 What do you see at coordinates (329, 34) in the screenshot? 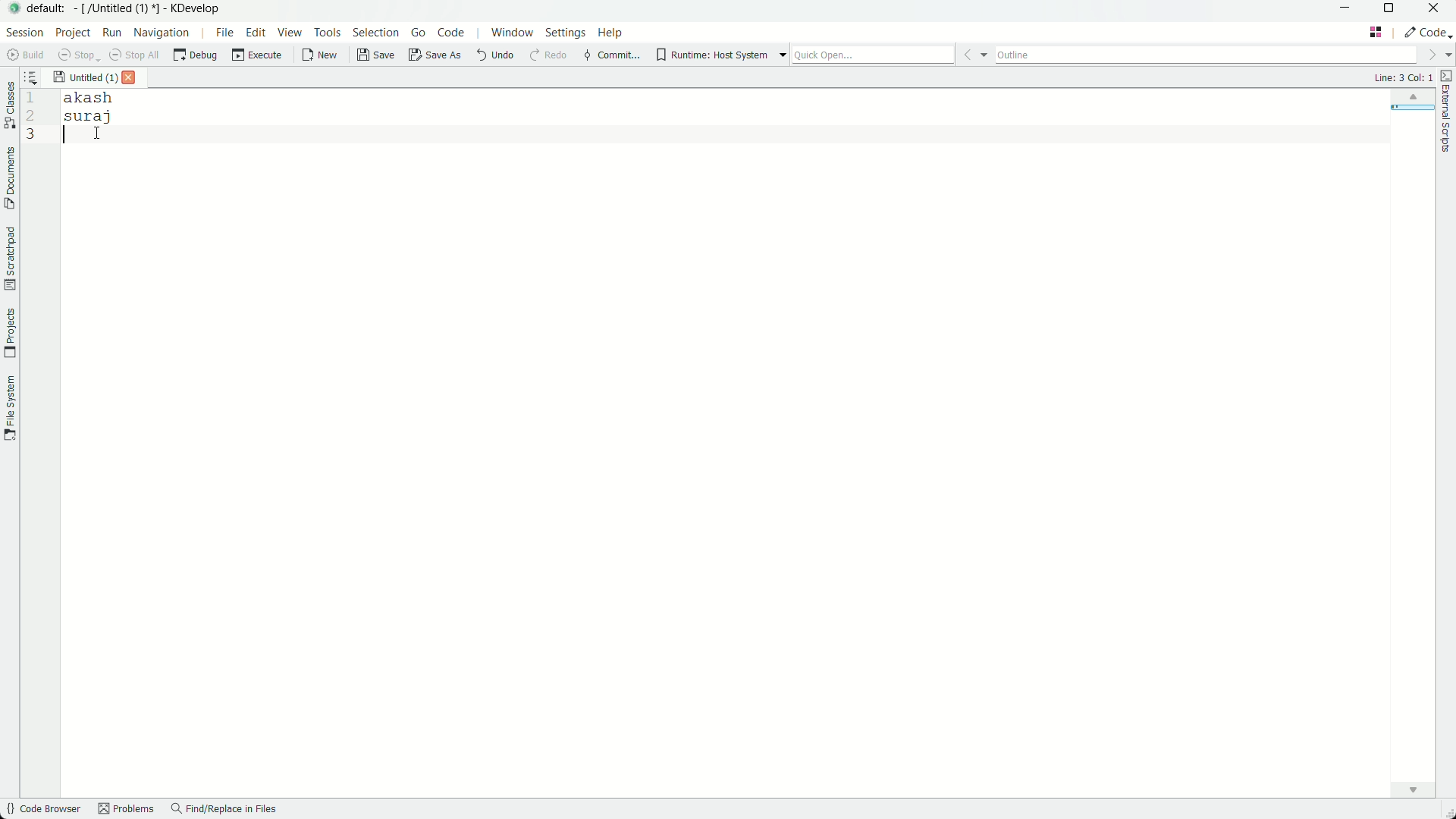
I see `tools menu` at bounding box center [329, 34].